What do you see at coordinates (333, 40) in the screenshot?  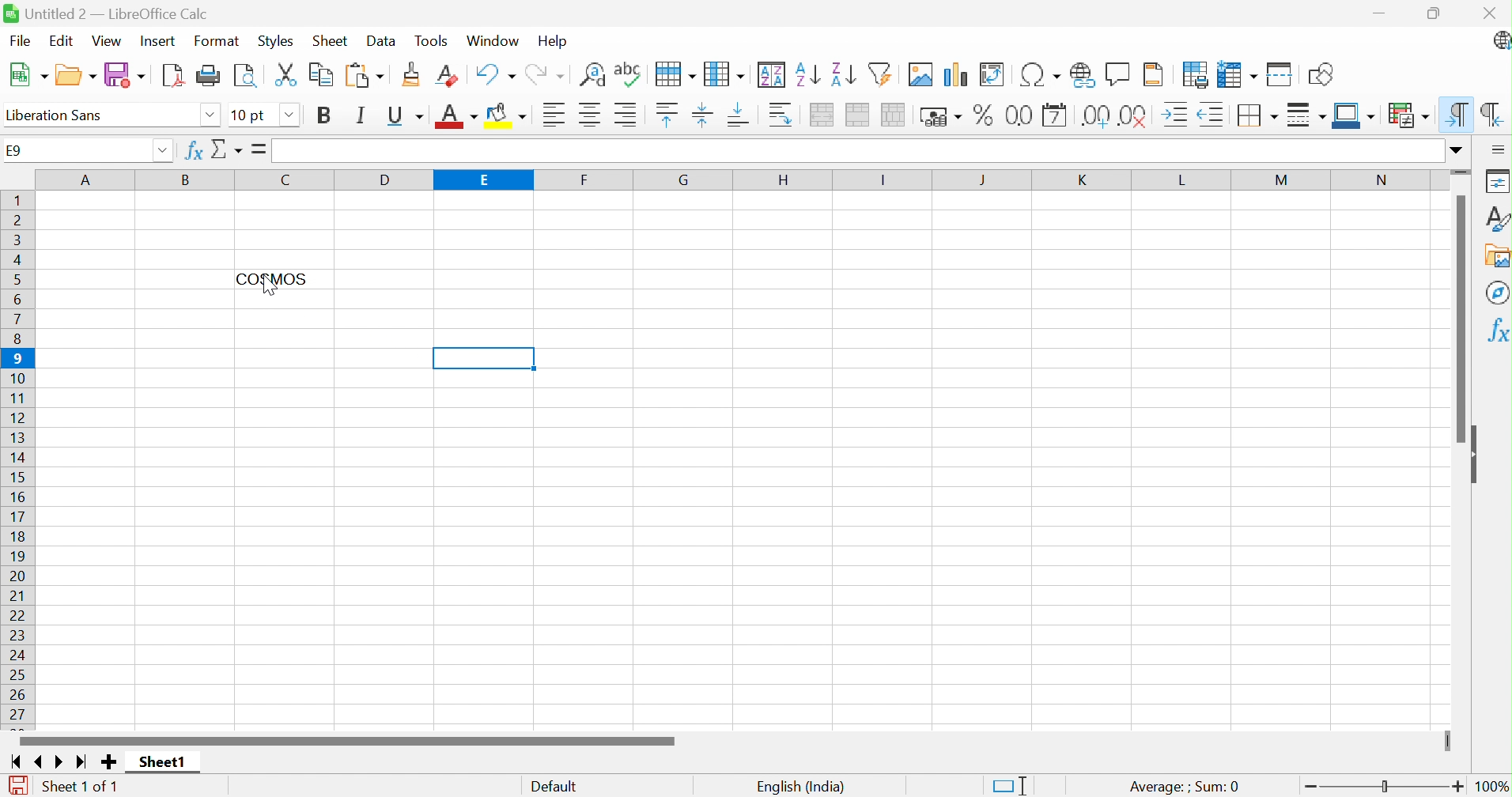 I see `Sheet` at bounding box center [333, 40].